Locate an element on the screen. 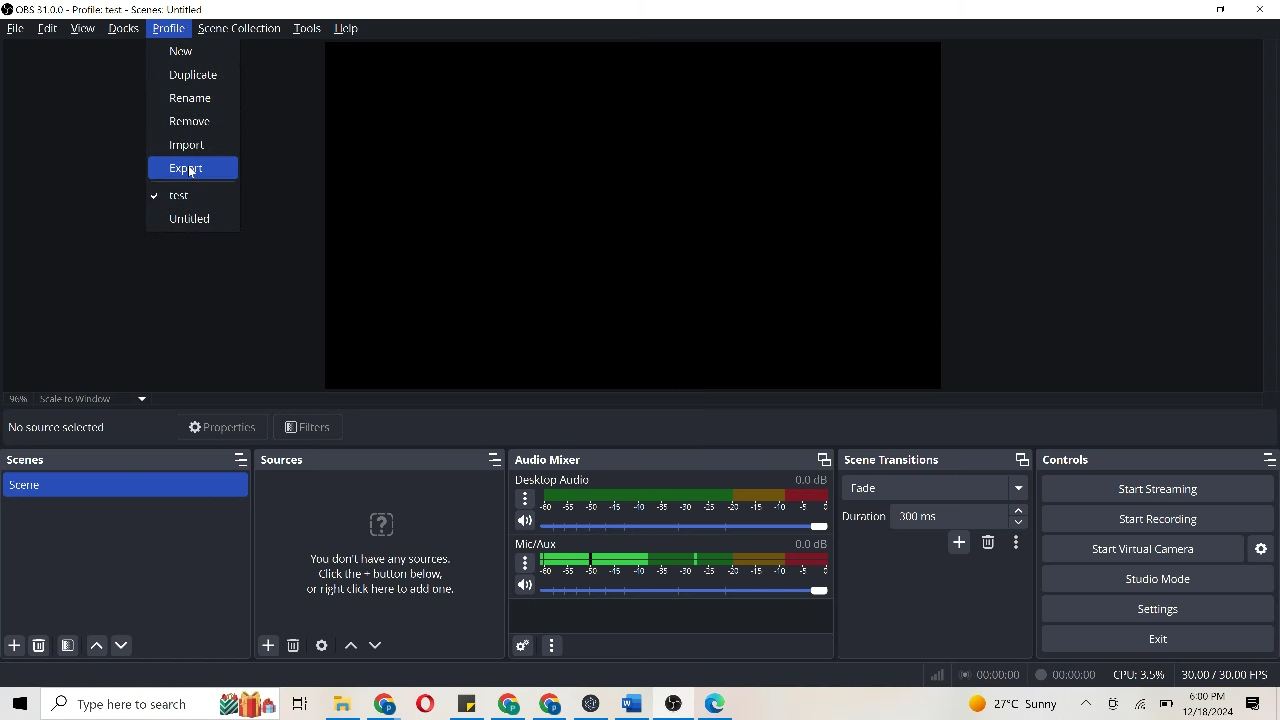  cursor is located at coordinates (194, 174).